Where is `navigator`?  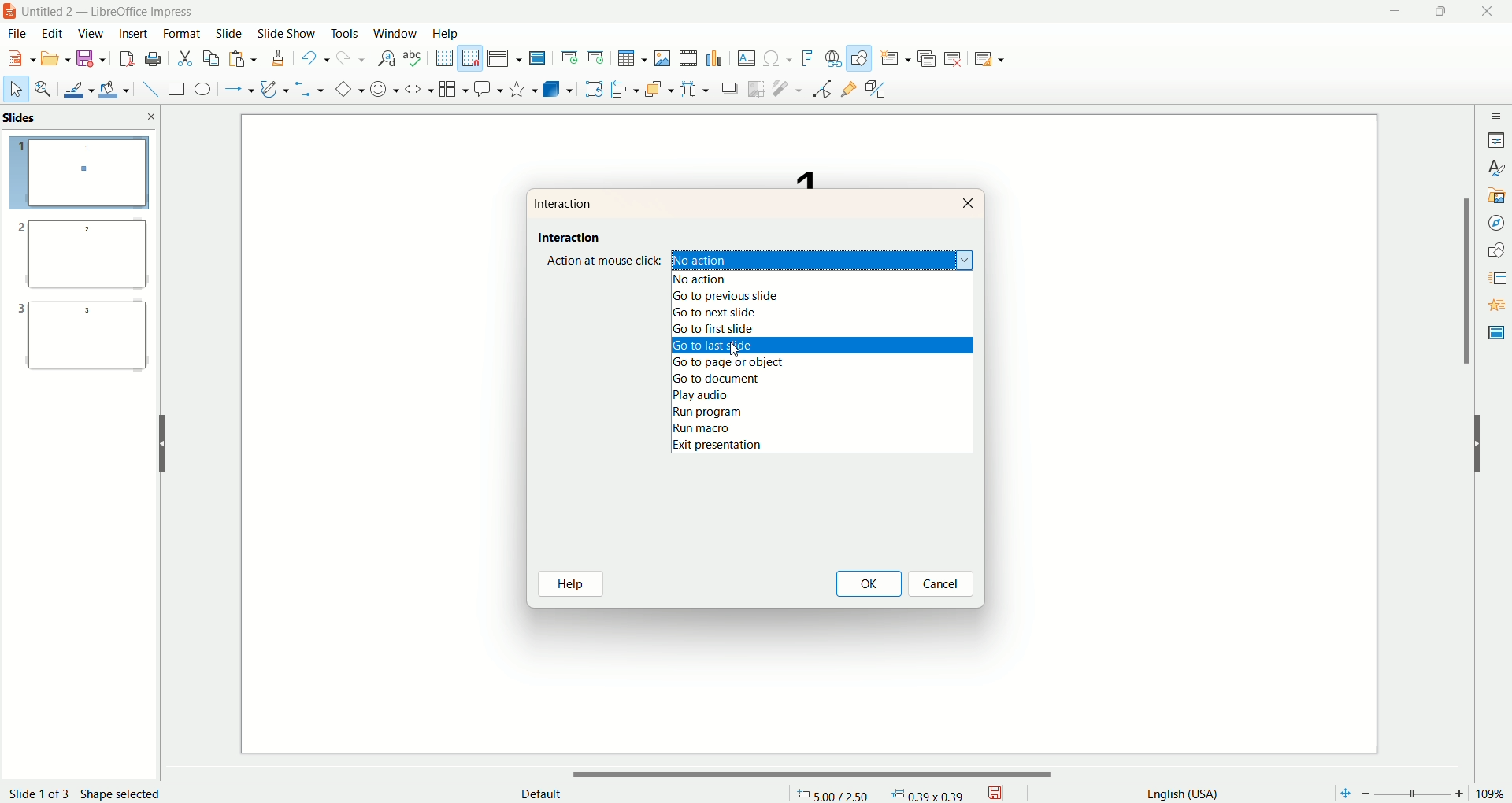 navigator is located at coordinates (1495, 223).